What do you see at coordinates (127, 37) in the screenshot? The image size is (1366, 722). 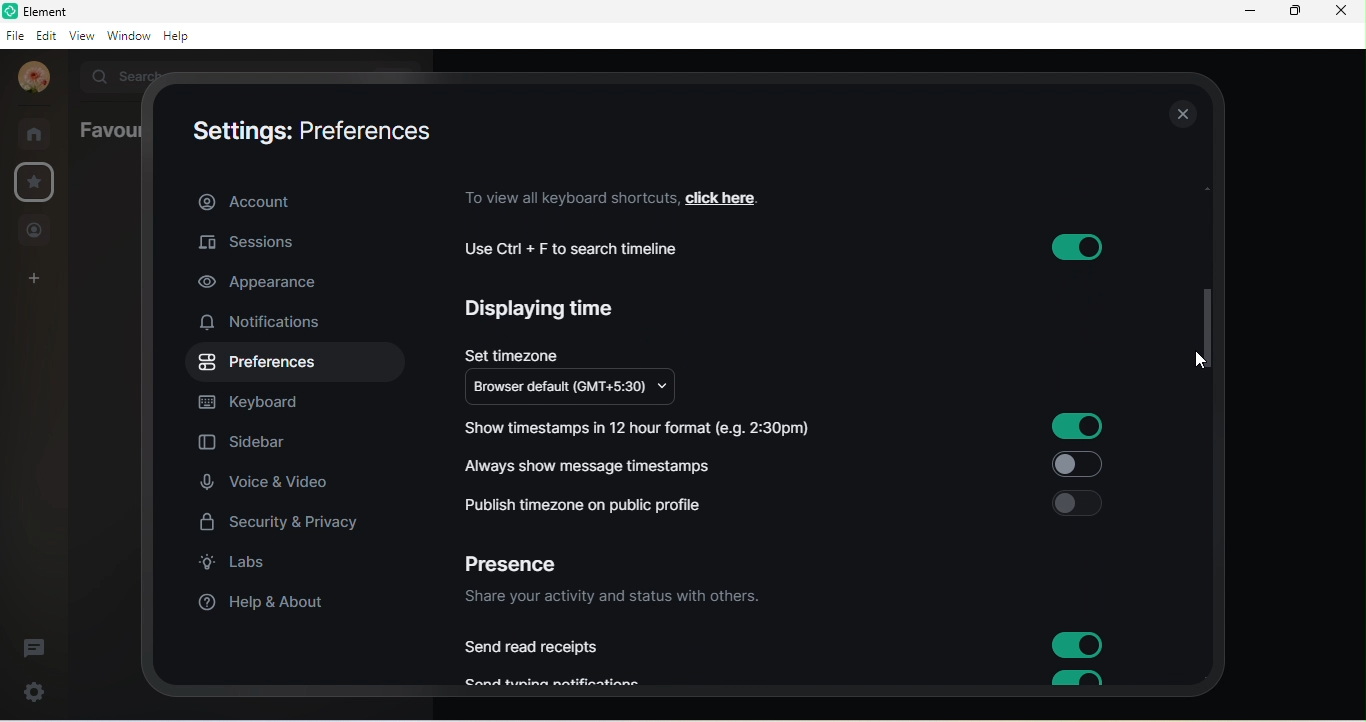 I see `window` at bounding box center [127, 37].